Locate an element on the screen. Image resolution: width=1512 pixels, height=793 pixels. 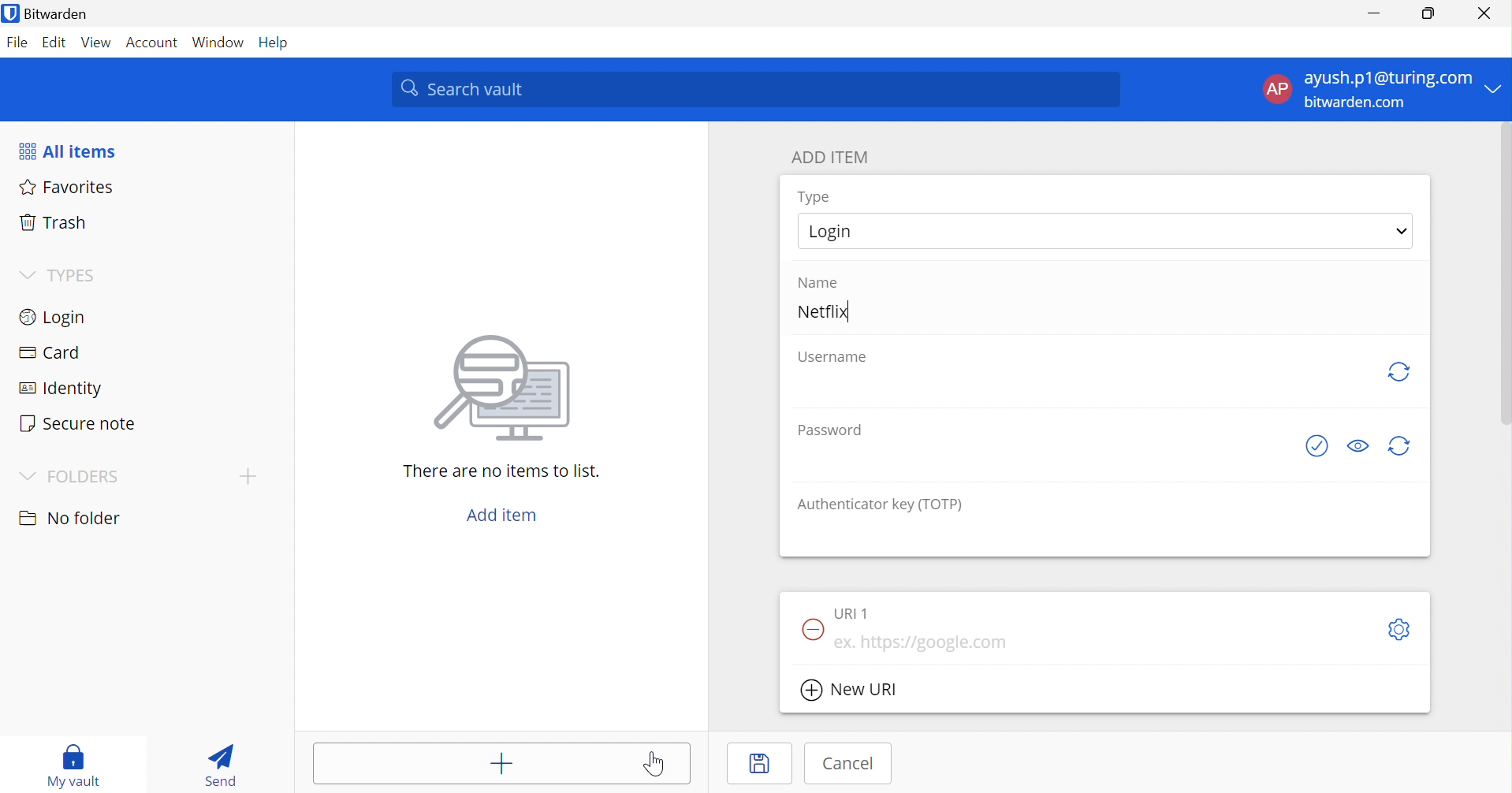
Check if password as been exposed is located at coordinates (1316, 446).